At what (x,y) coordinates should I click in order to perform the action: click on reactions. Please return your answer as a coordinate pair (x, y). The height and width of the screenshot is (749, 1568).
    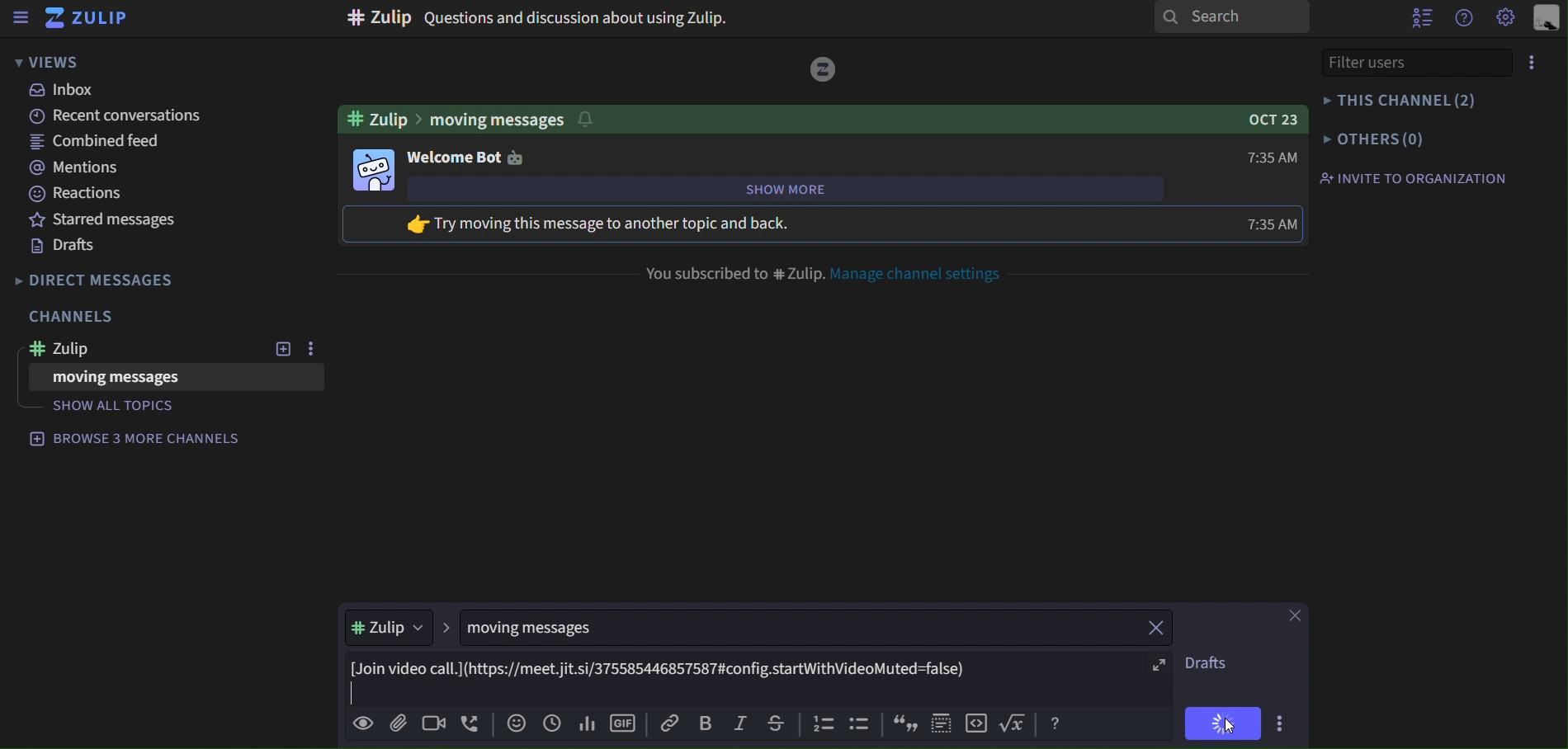
    Looking at the image, I should click on (78, 195).